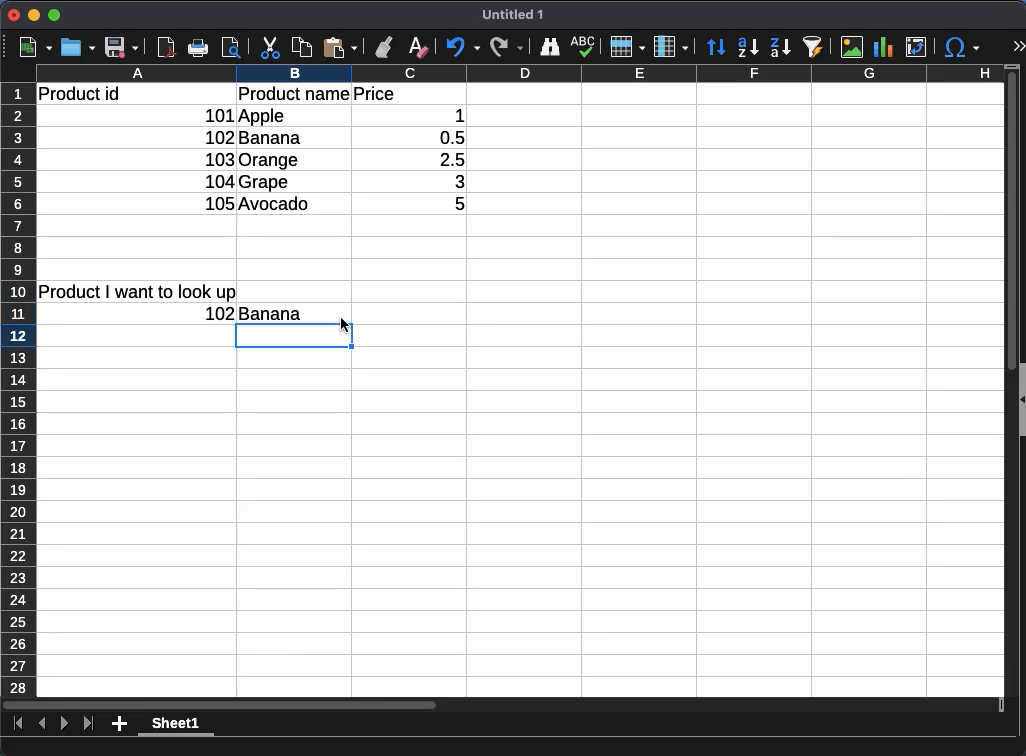  What do you see at coordinates (79, 94) in the screenshot?
I see `product id` at bounding box center [79, 94].